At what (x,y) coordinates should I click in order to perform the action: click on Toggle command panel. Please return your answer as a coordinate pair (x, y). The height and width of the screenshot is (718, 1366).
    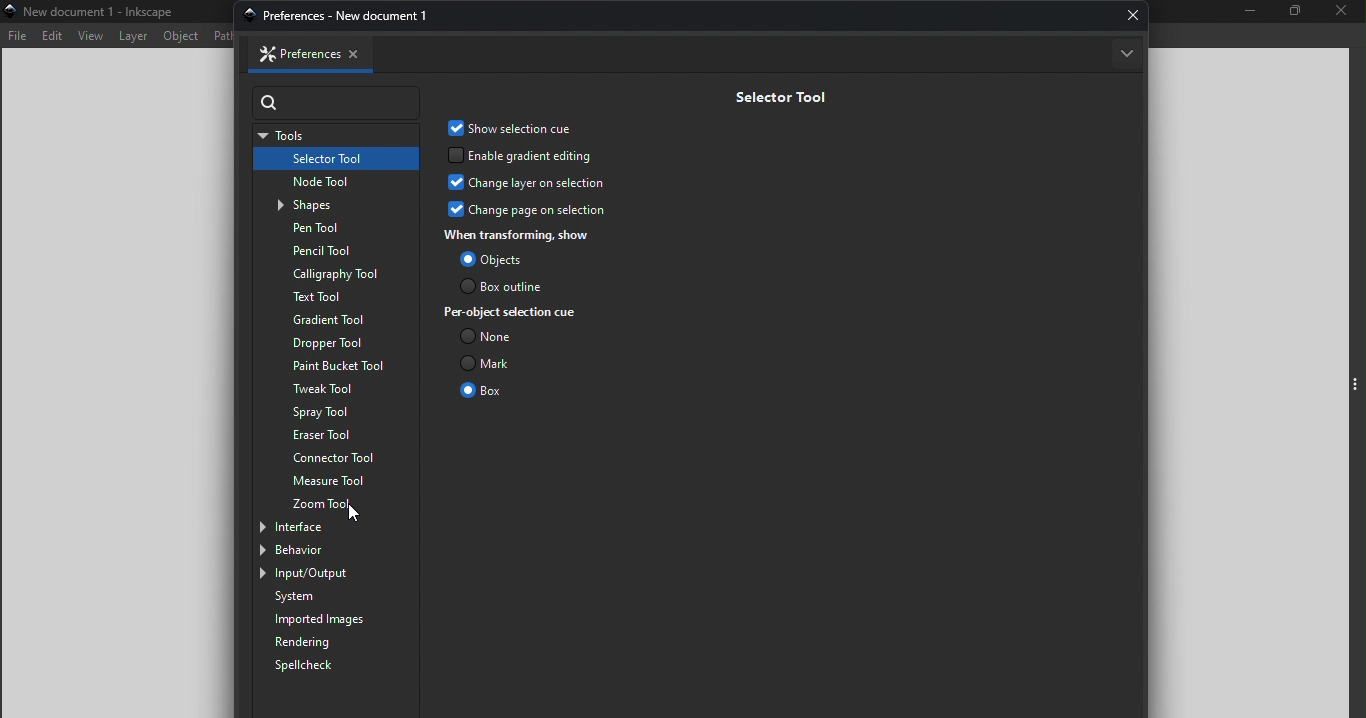
    Looking at the image, I should click on (1355, 383).